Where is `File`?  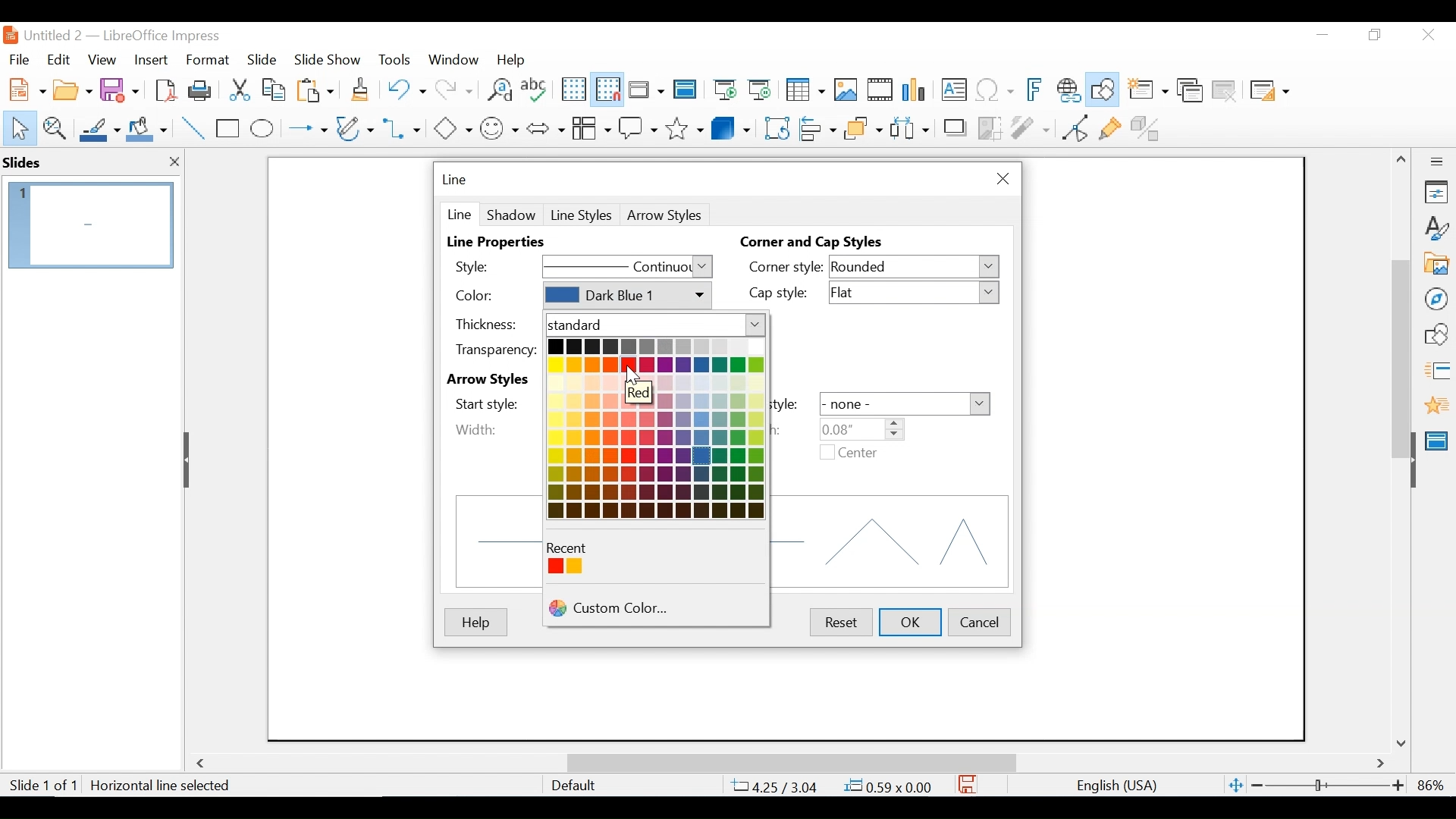
File is located at coordinates (19, 58).